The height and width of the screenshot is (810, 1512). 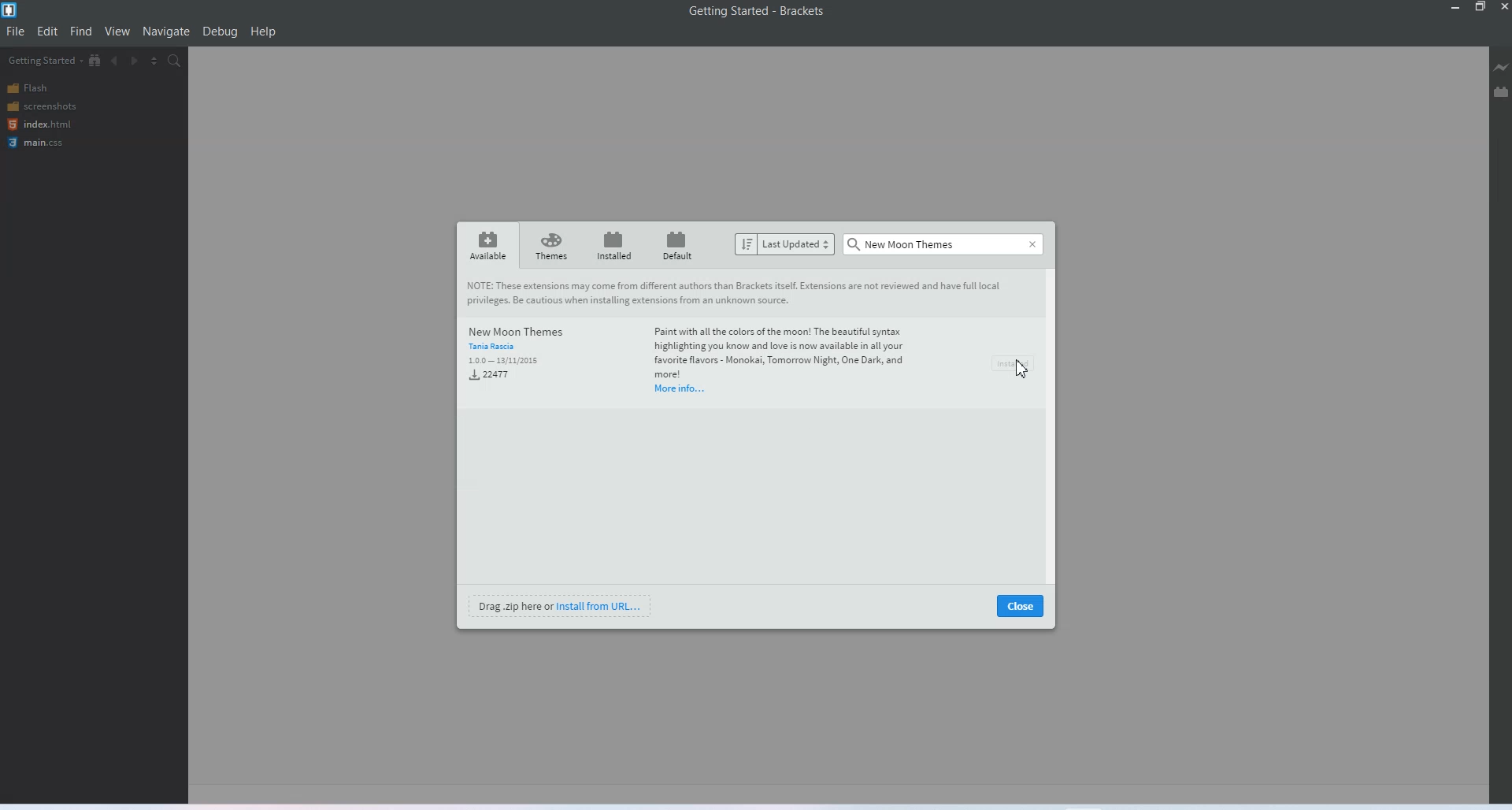 What do you see at coordinates (550, 245) in the screenshot?
I see `Themes` at bounding box center [550, 245].